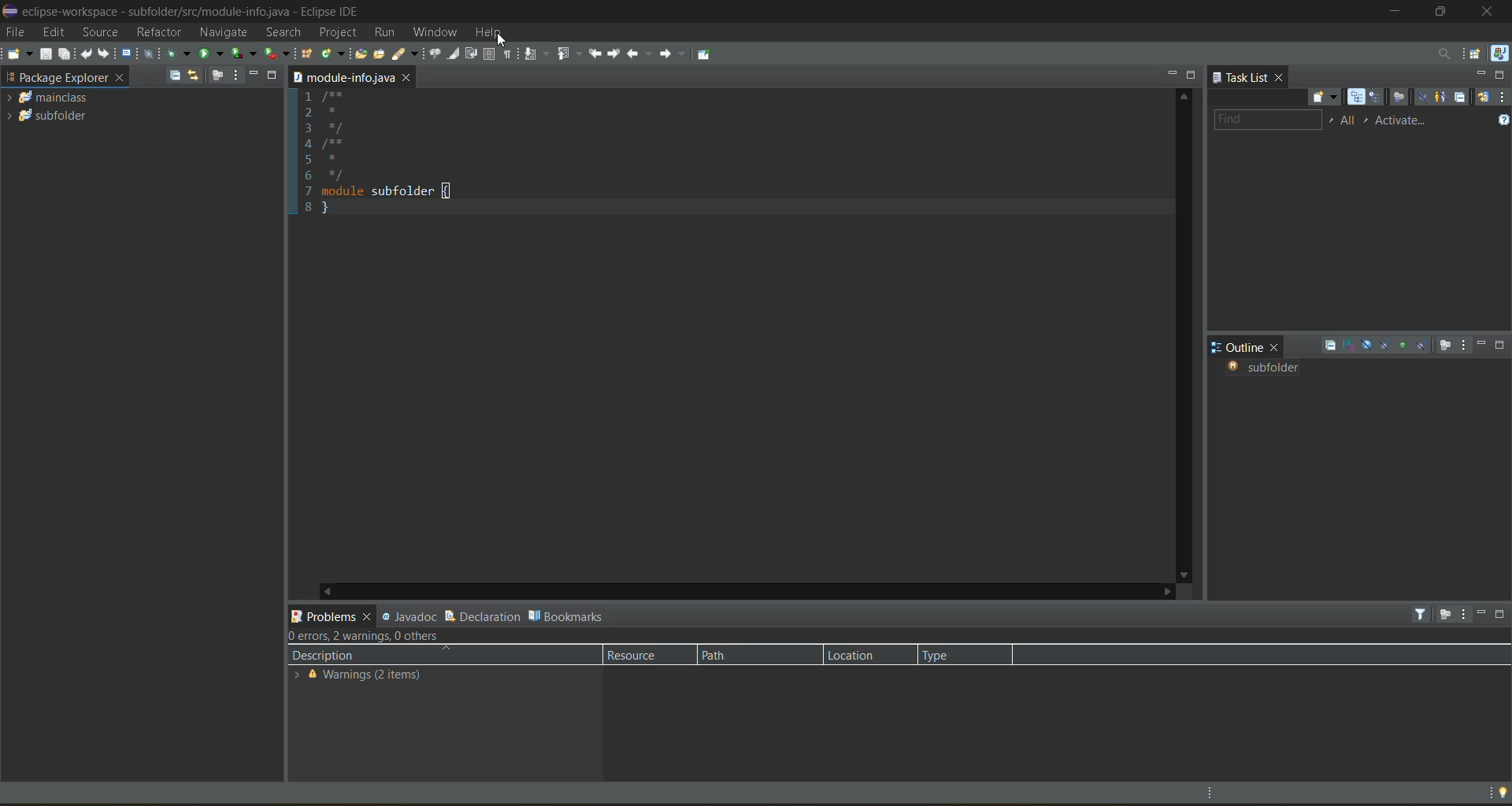 Image resolution: width=1512 pixels, height=806 pixels. I want to click on type, so click(948, 653).